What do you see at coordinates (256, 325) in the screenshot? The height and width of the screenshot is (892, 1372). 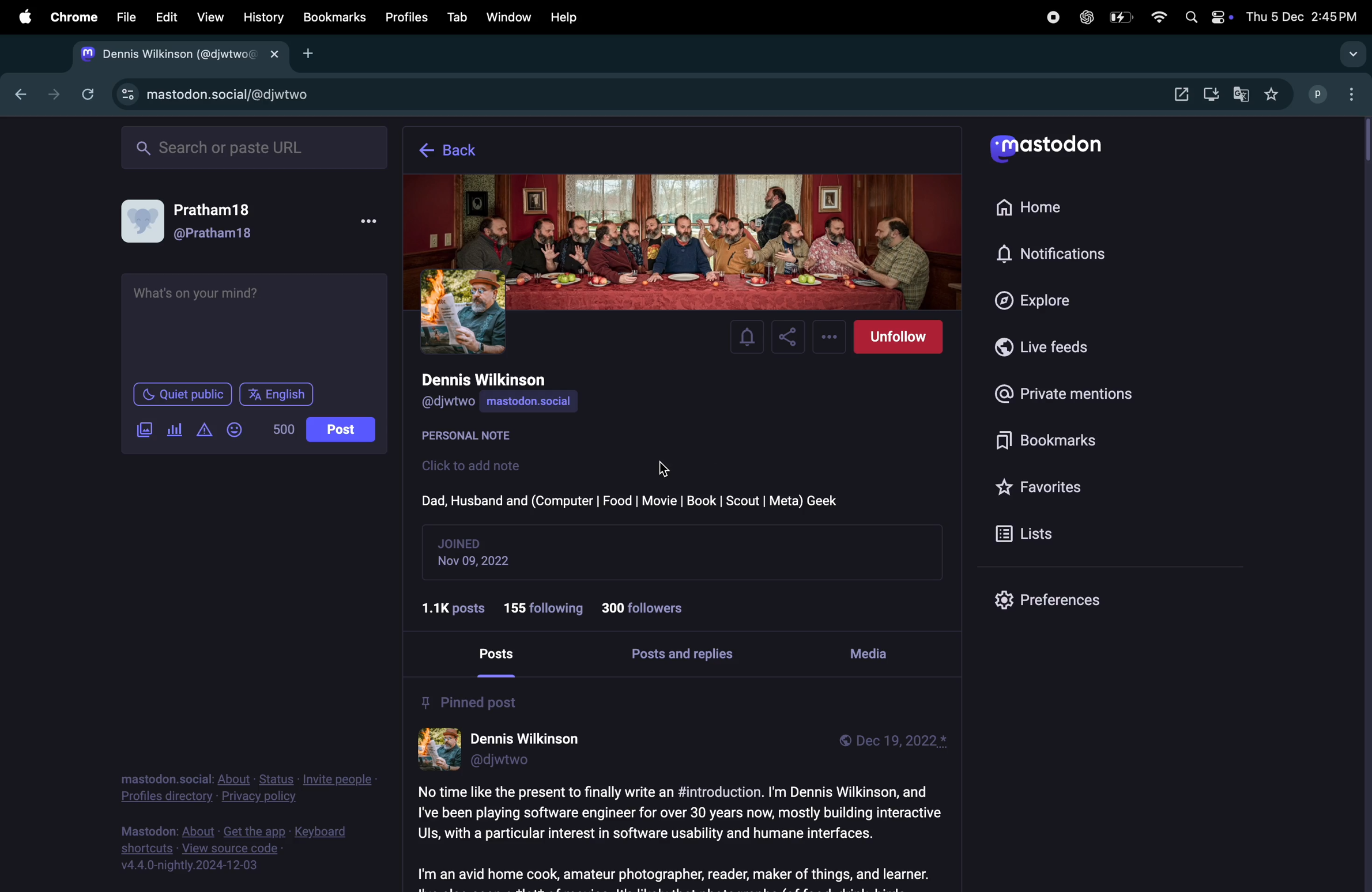 I see `textbox` at bounding box center [256, 325].